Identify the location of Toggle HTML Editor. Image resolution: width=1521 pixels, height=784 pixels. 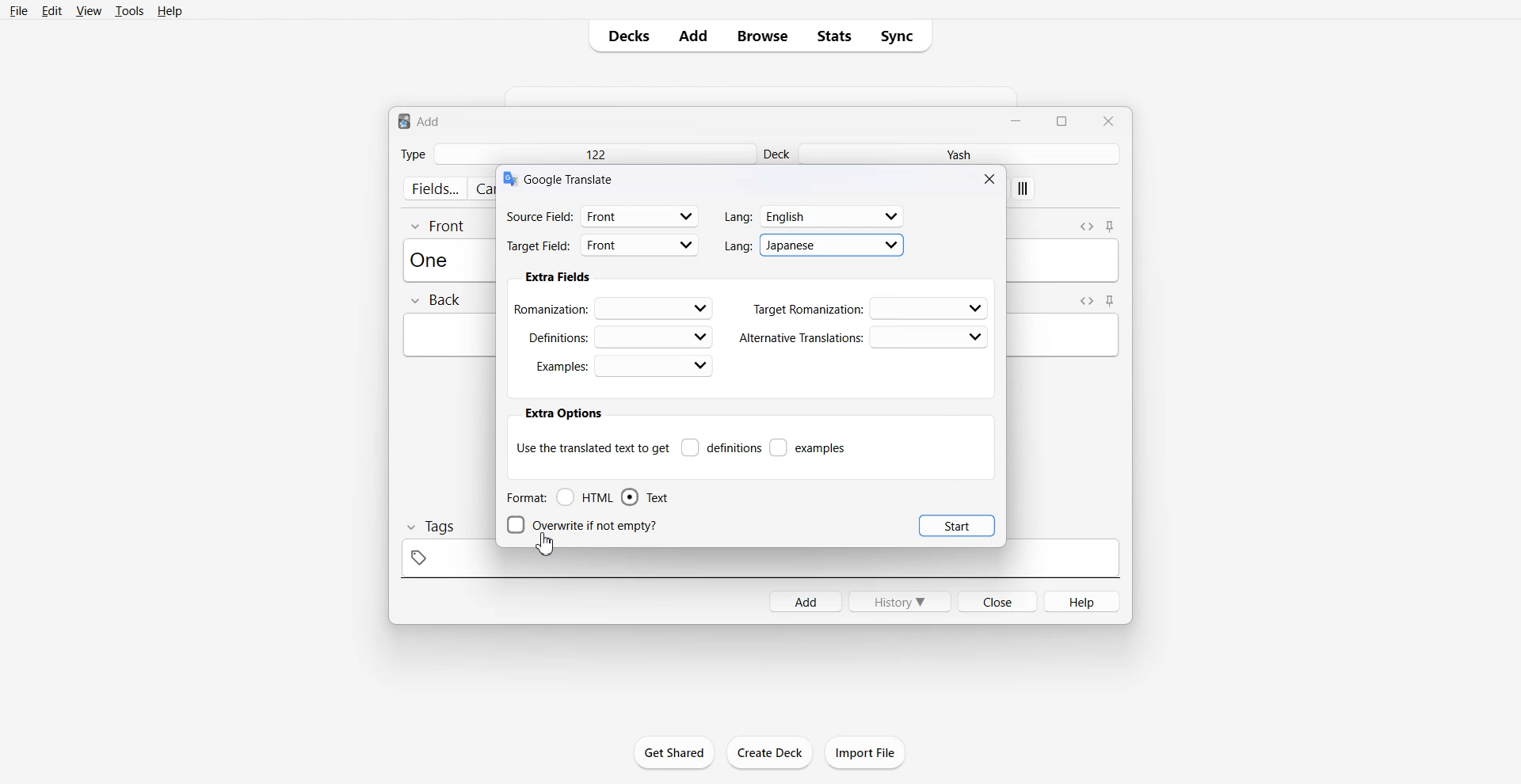
(1086, 225).